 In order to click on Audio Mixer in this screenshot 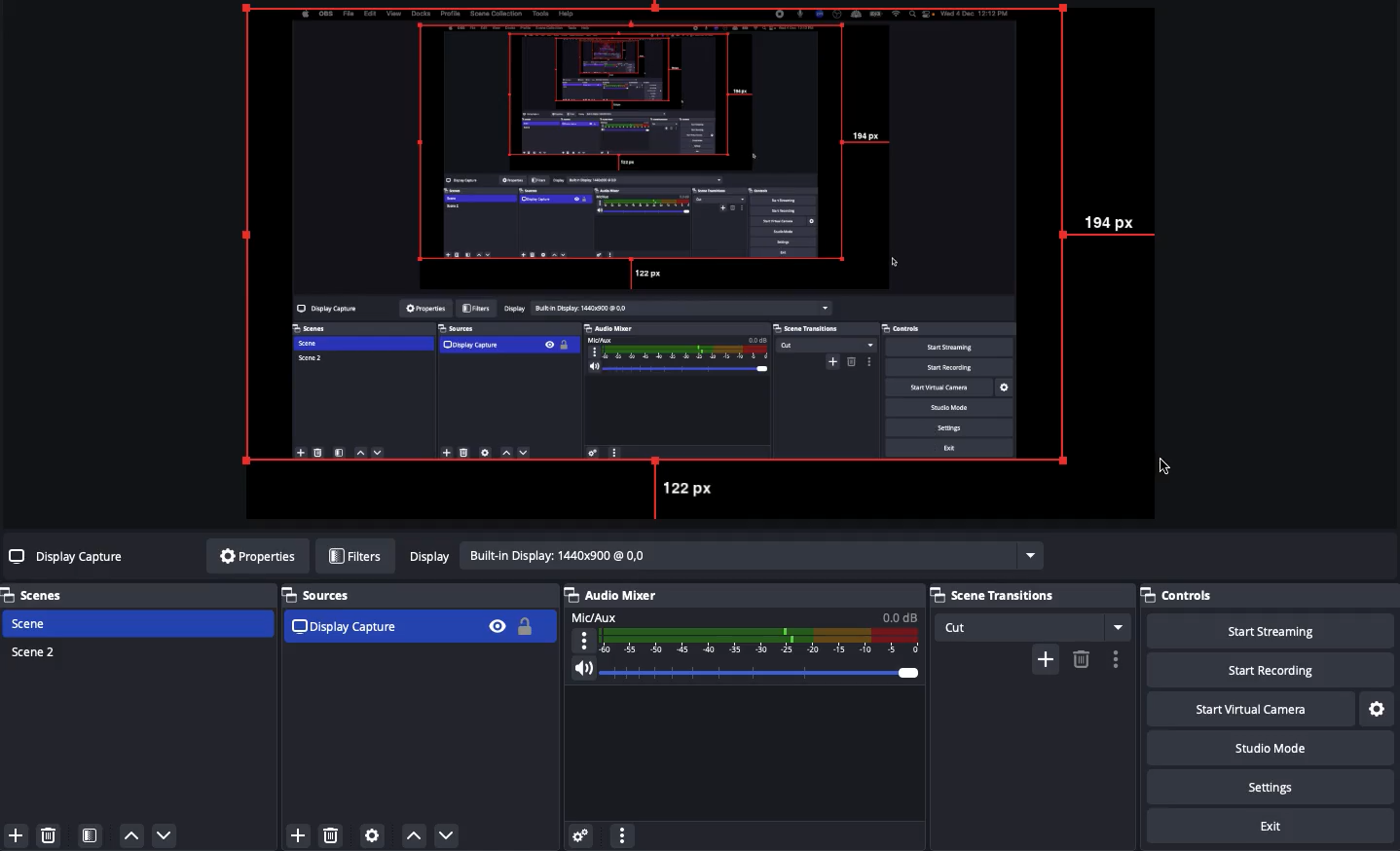, I will do `click(744, 641)`.